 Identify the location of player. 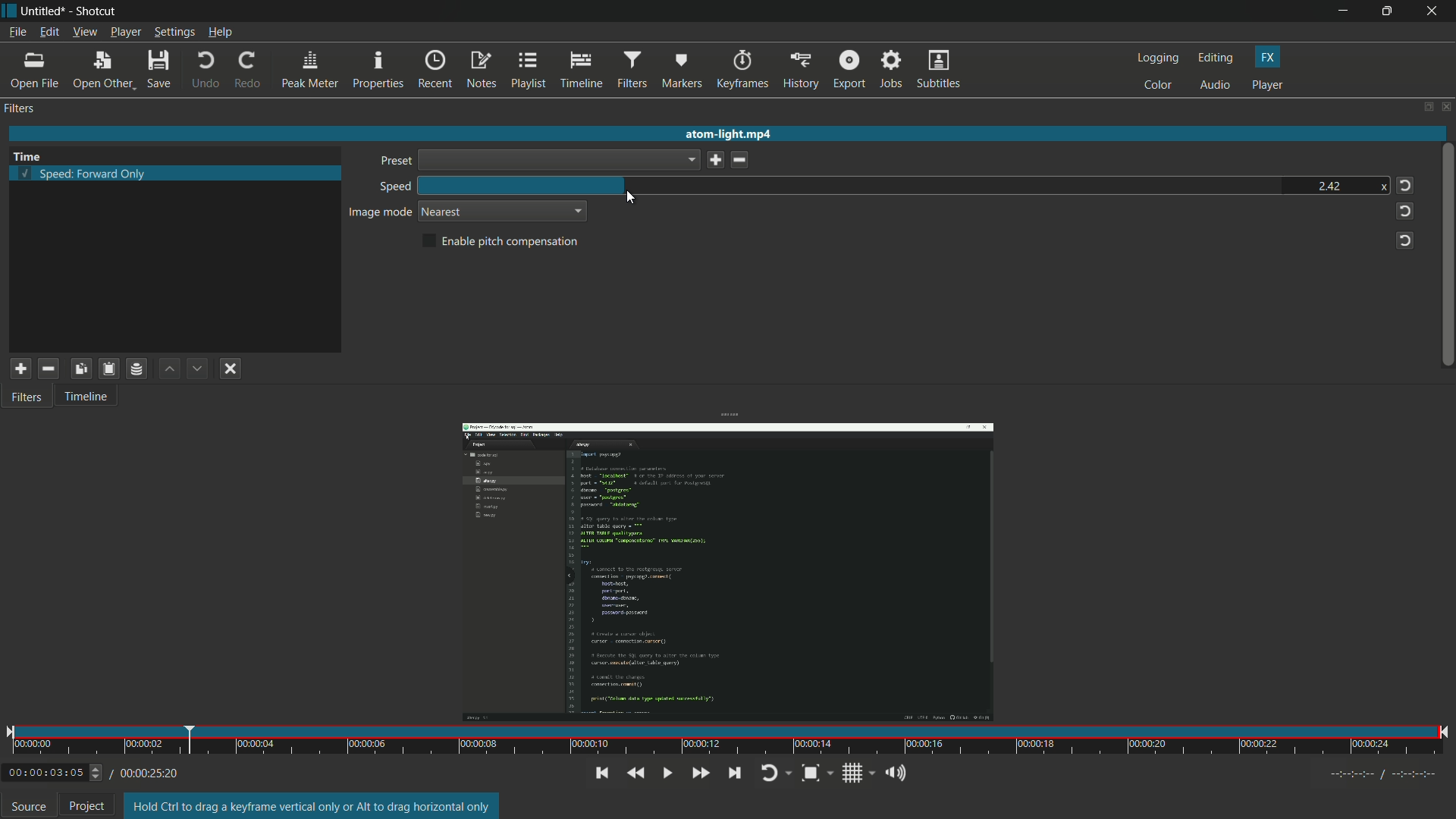
(1267, 86).